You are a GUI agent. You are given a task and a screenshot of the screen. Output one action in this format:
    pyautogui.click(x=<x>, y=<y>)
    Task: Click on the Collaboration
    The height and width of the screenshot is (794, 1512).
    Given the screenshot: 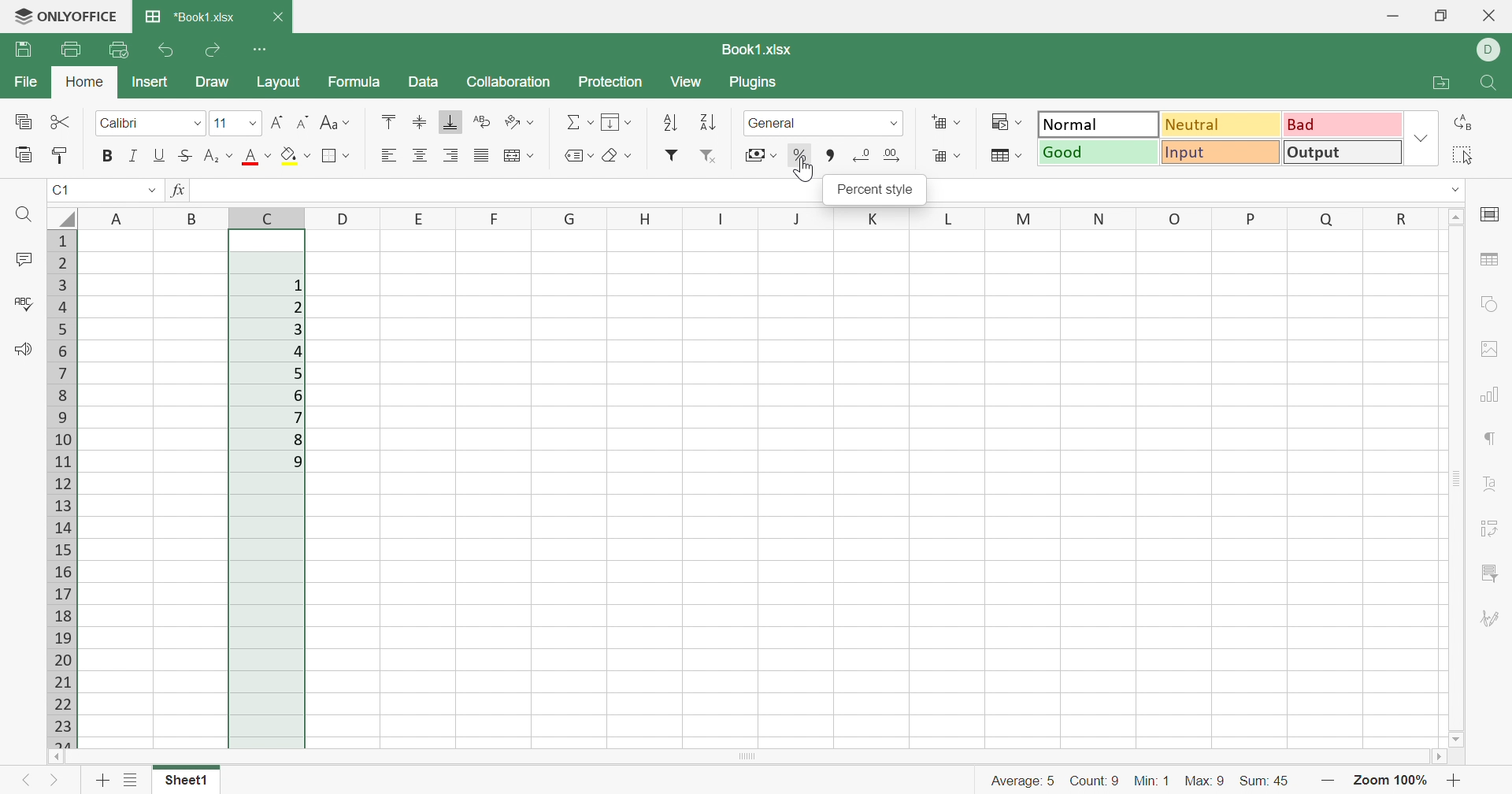 What is the action you would take?
    pyautogui.click(x=511, y=83)
    